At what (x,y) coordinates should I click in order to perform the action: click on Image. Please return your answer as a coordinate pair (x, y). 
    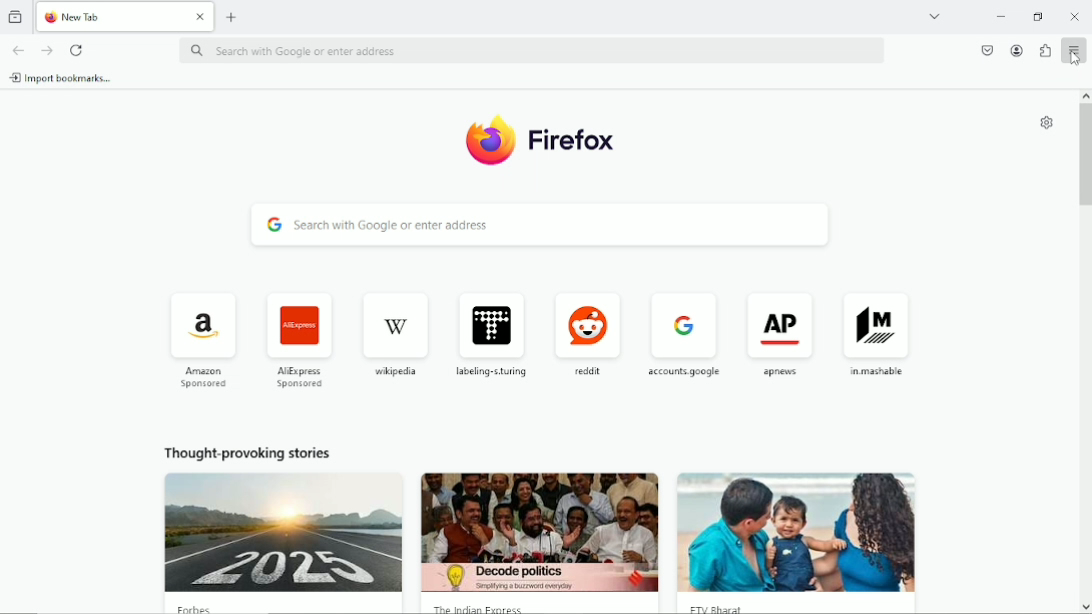
    Looking at the image, I should click on (544, 540).